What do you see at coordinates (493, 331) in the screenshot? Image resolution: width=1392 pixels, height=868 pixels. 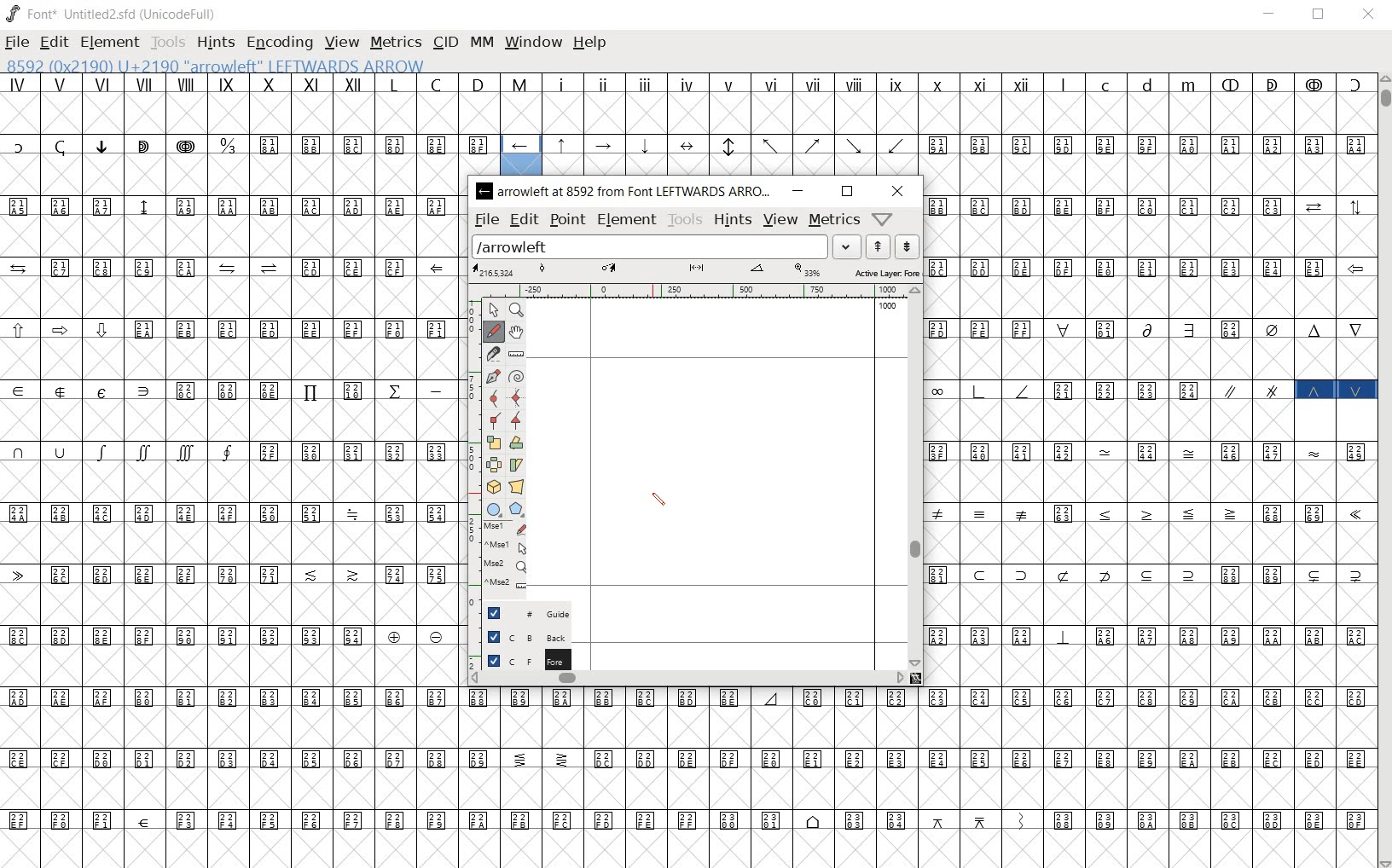 I see `draw a freehand curve` at bounding box center [493, 331].